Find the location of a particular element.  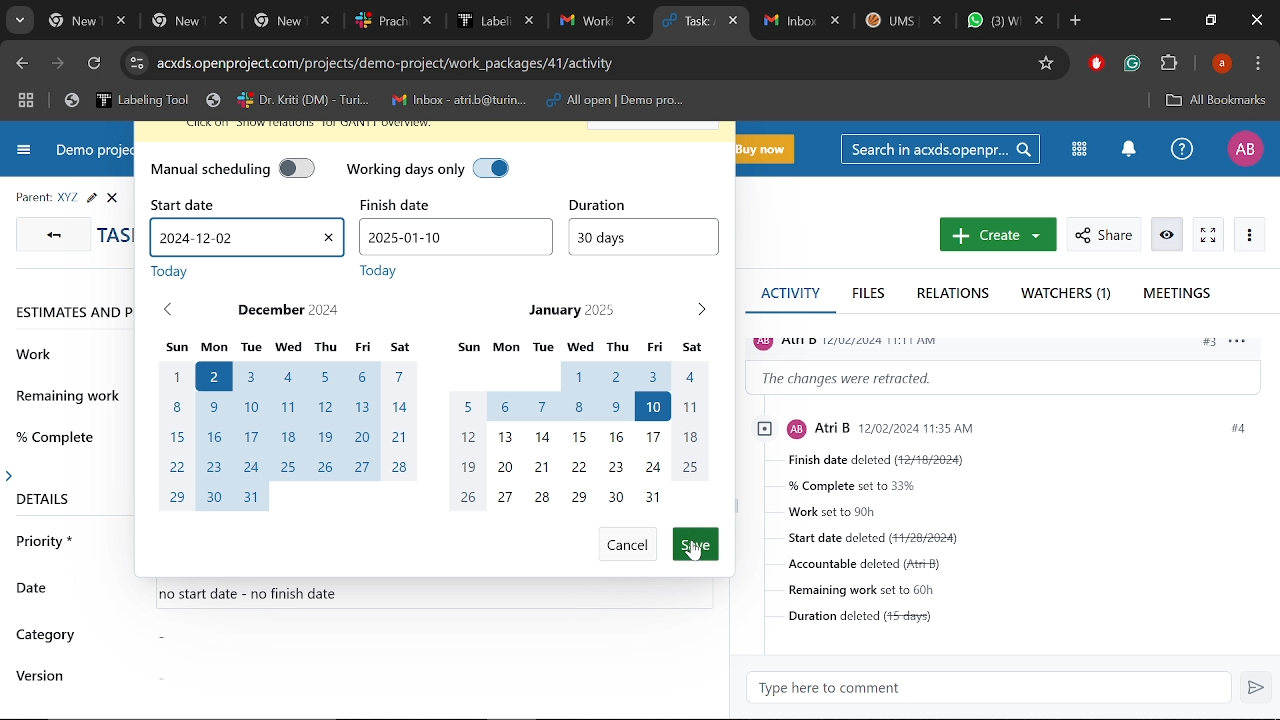

Activity is located at coordinates (789, 298).